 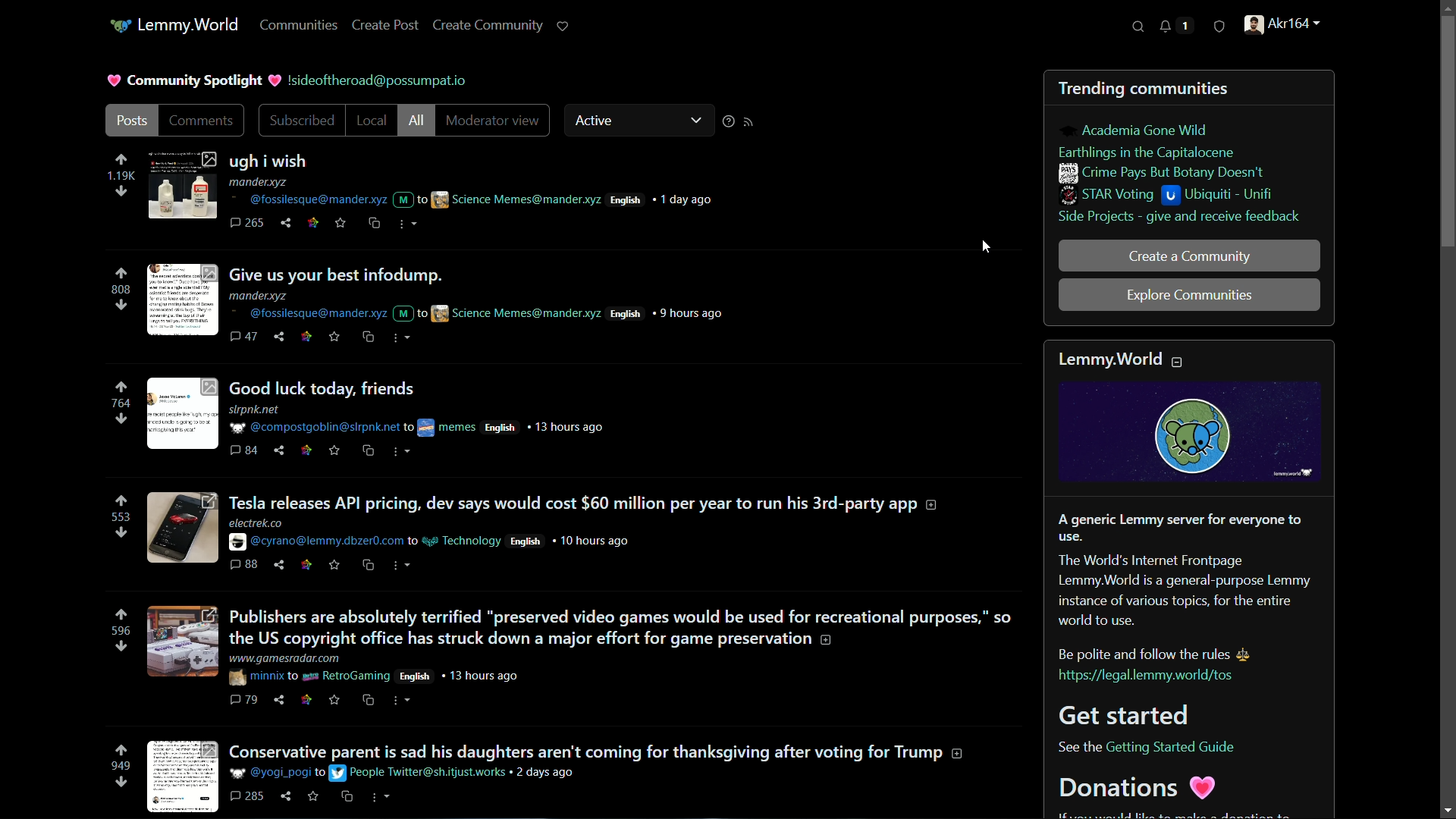 I want to click on more actions, so click(x=401, y=339).